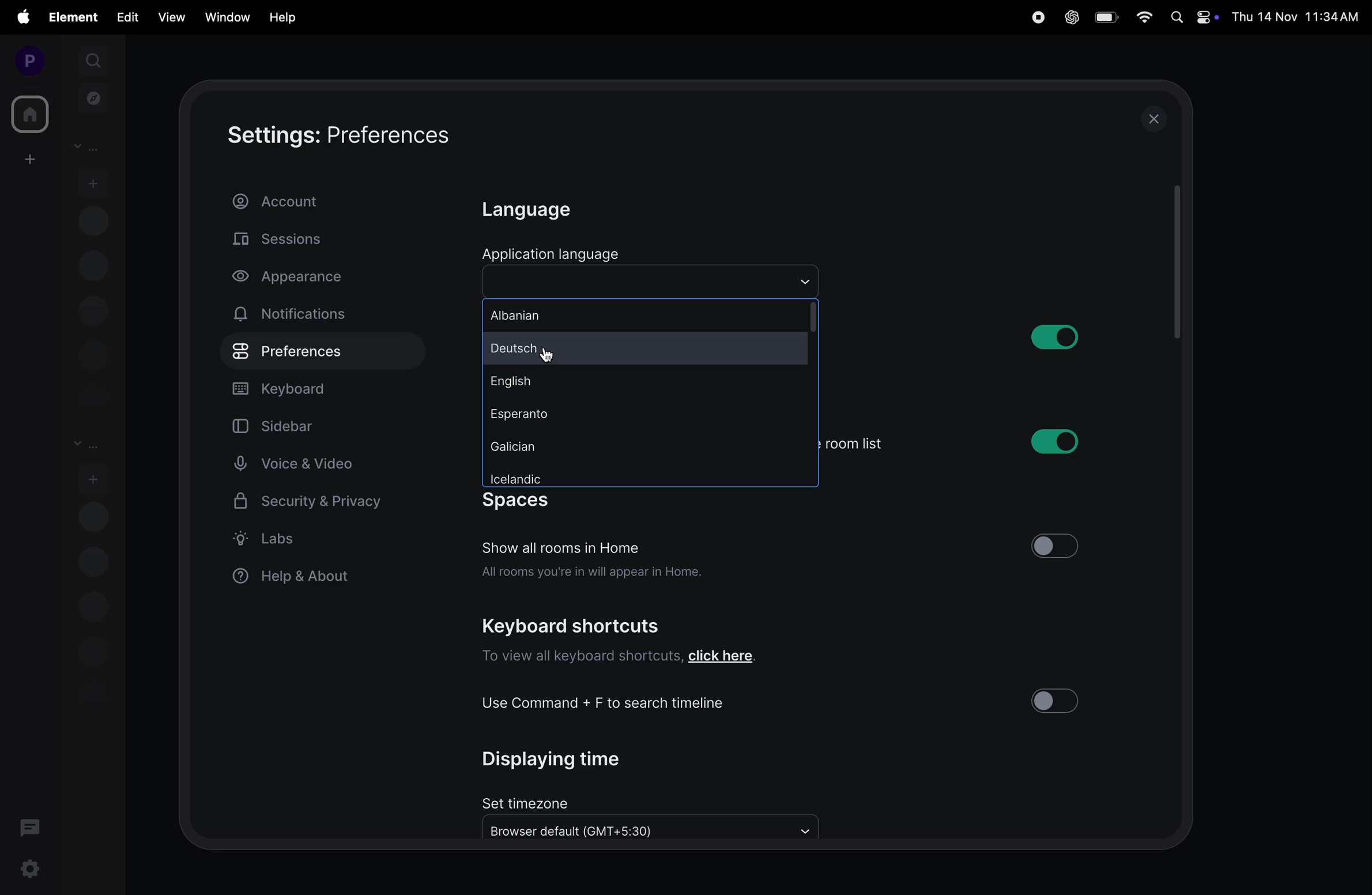 This screenshot has height=895, width=1372. What do you see at coordinates (1059, 336) in the screenshot?
I see `button` at bounding box center [1059, 336].